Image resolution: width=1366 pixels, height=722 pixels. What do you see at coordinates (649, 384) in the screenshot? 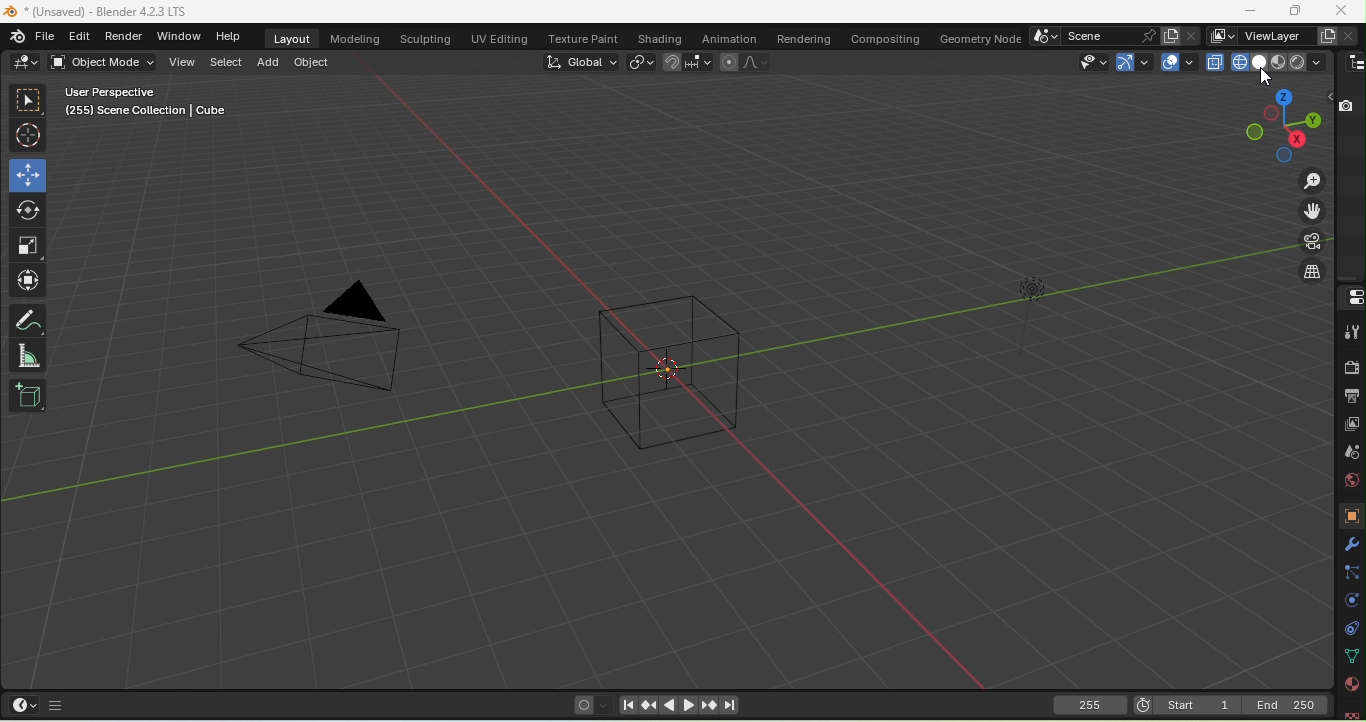
I see `Workspace` at bounding box center [649, 384].